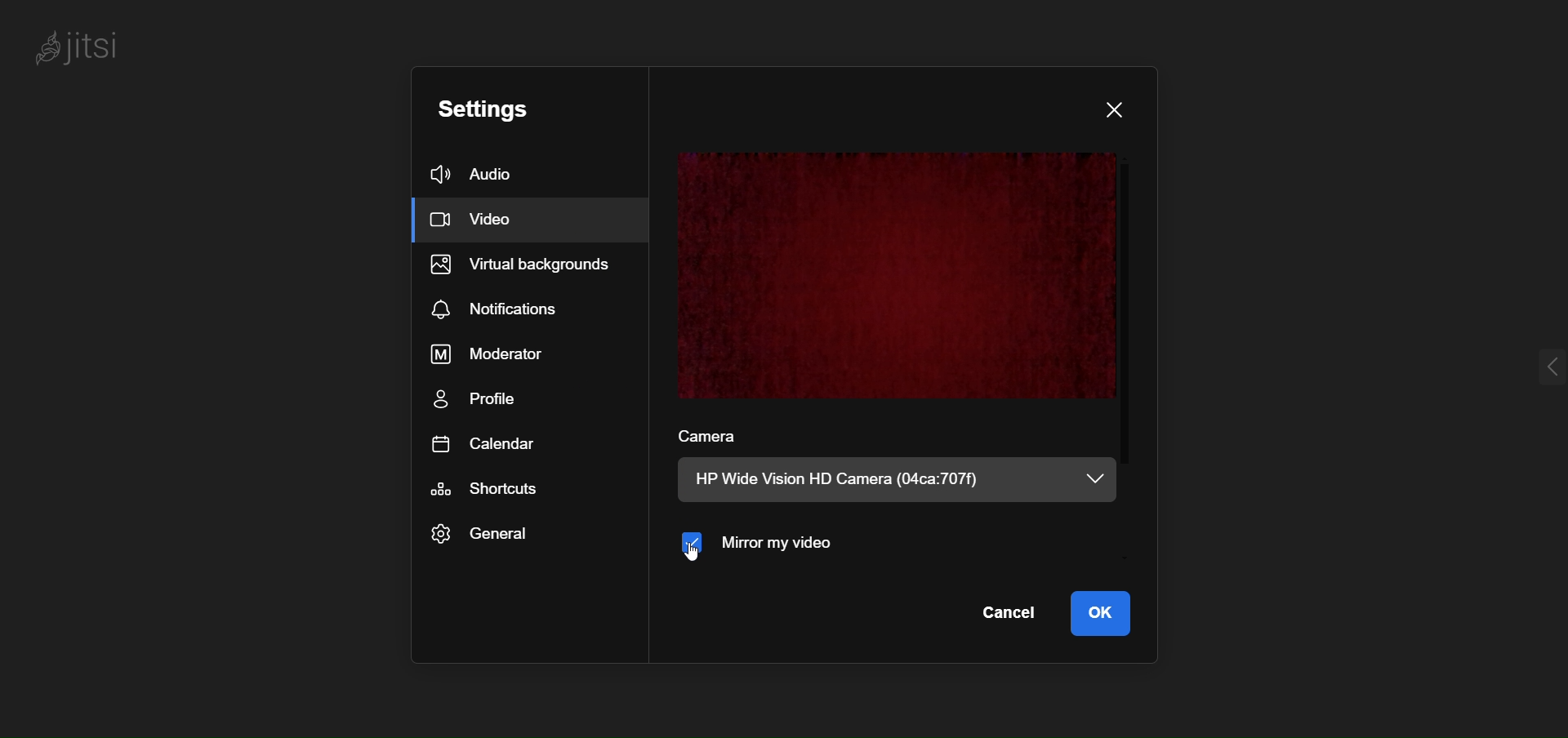 The image size is (1568, 738). What do you see at coordinates (493, 354) in the screenshot?
I see `moderator` at bounding box center [493, 354].